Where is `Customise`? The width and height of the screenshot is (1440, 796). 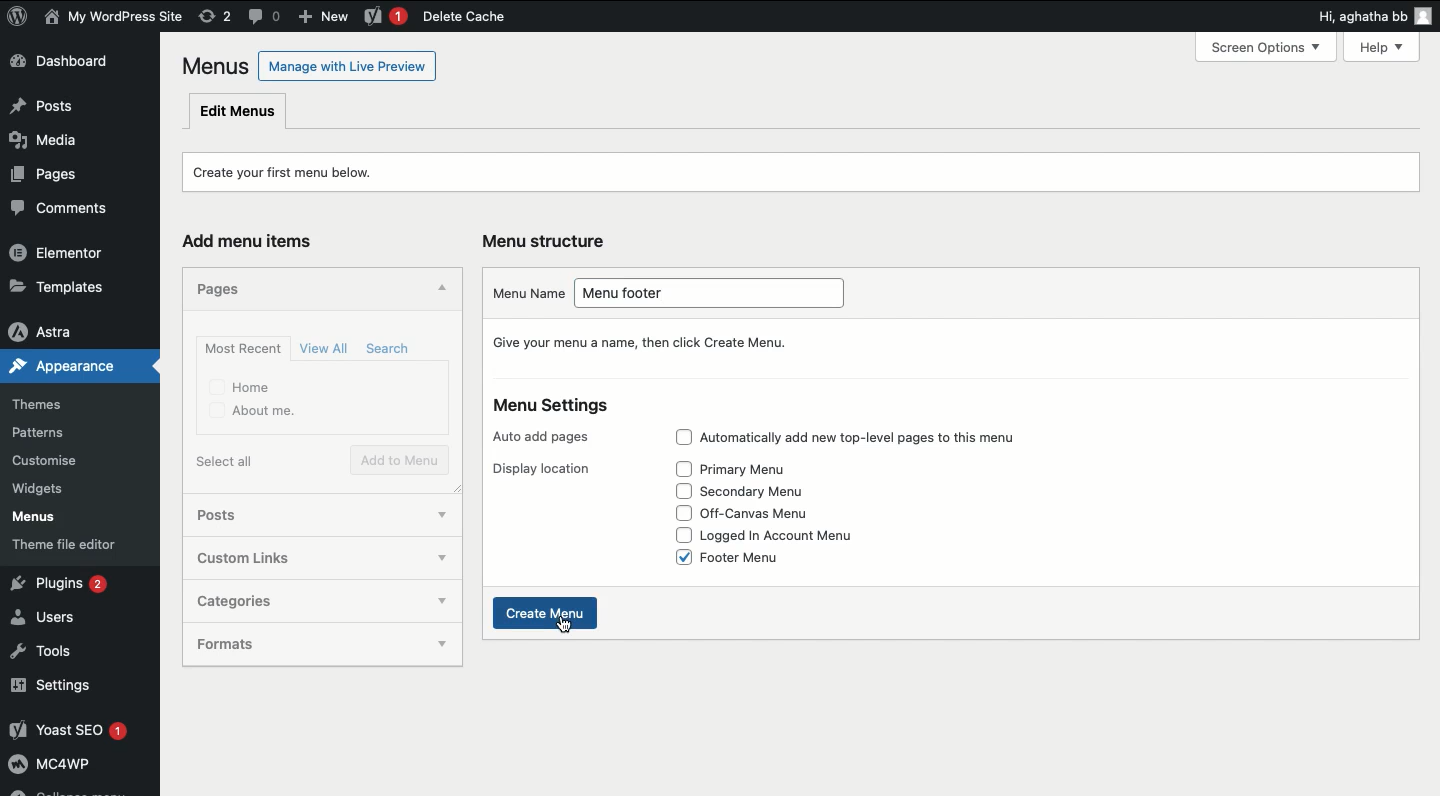
Customise is located at coordinates (43, 462).